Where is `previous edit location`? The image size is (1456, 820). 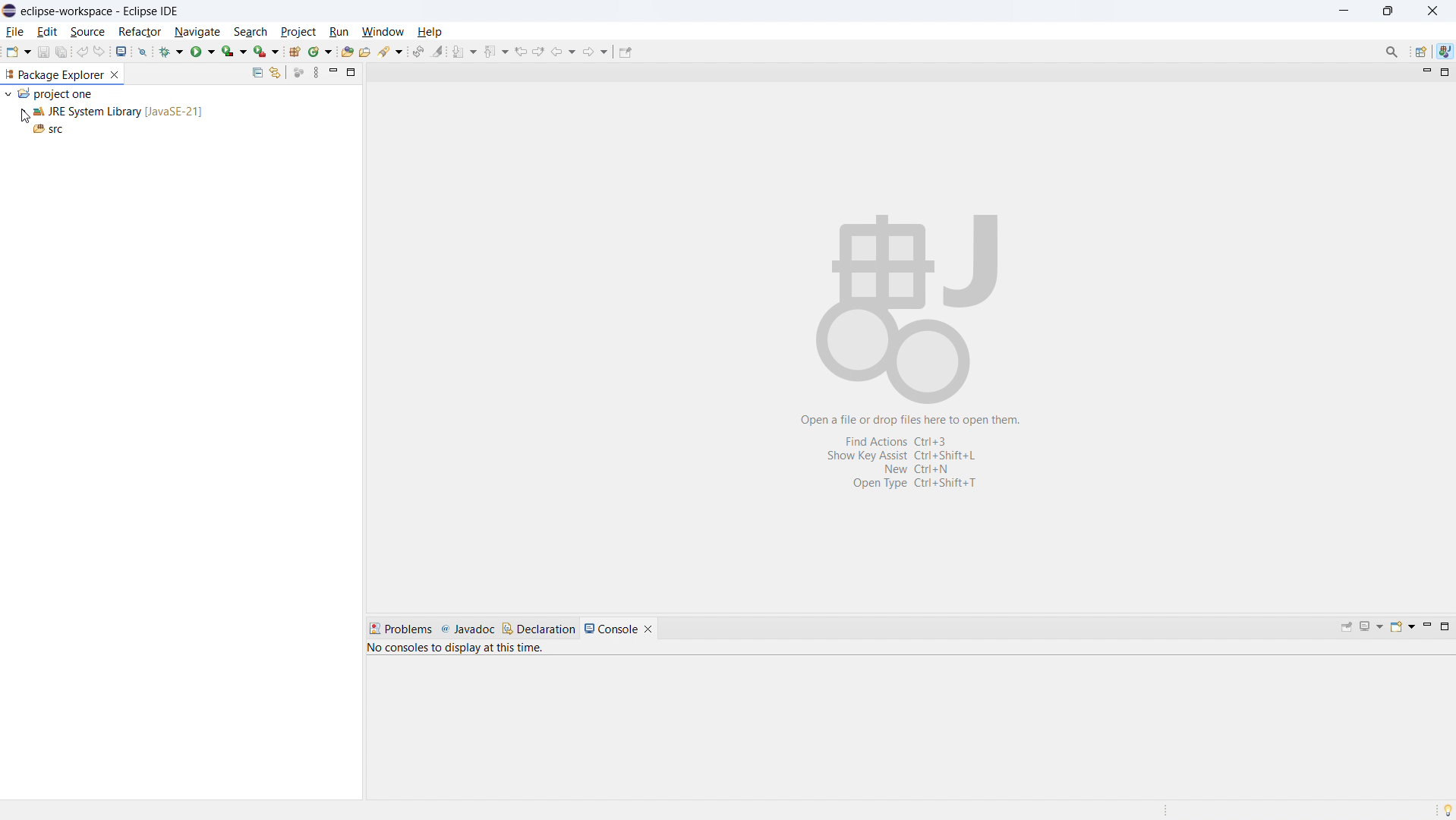
previous edit location is located at coordinates (519, 52).